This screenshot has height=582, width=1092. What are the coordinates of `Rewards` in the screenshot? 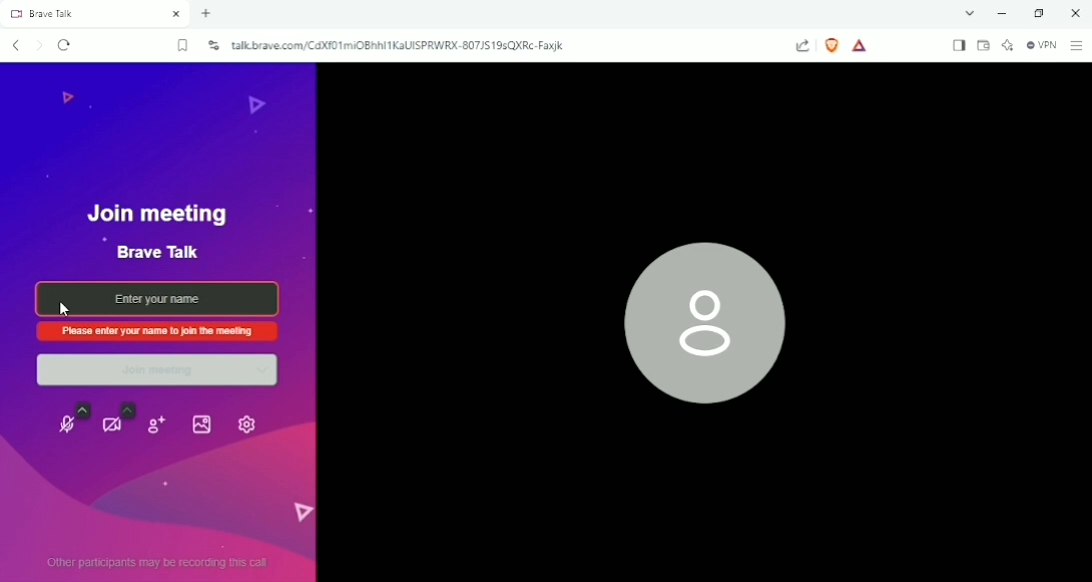 It's located at (859, 47).